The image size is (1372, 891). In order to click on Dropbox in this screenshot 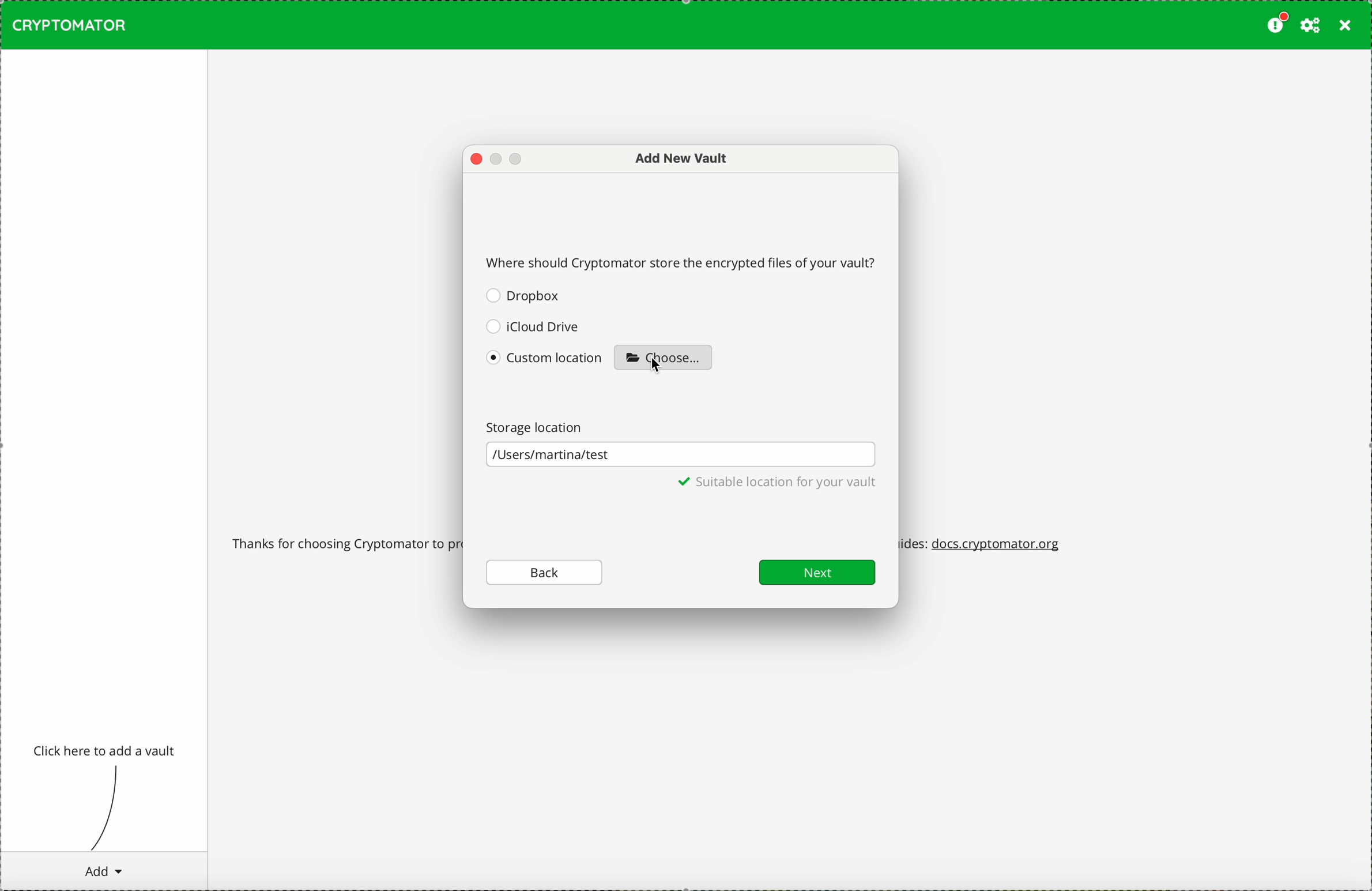, I will do `click(525, 295)`.